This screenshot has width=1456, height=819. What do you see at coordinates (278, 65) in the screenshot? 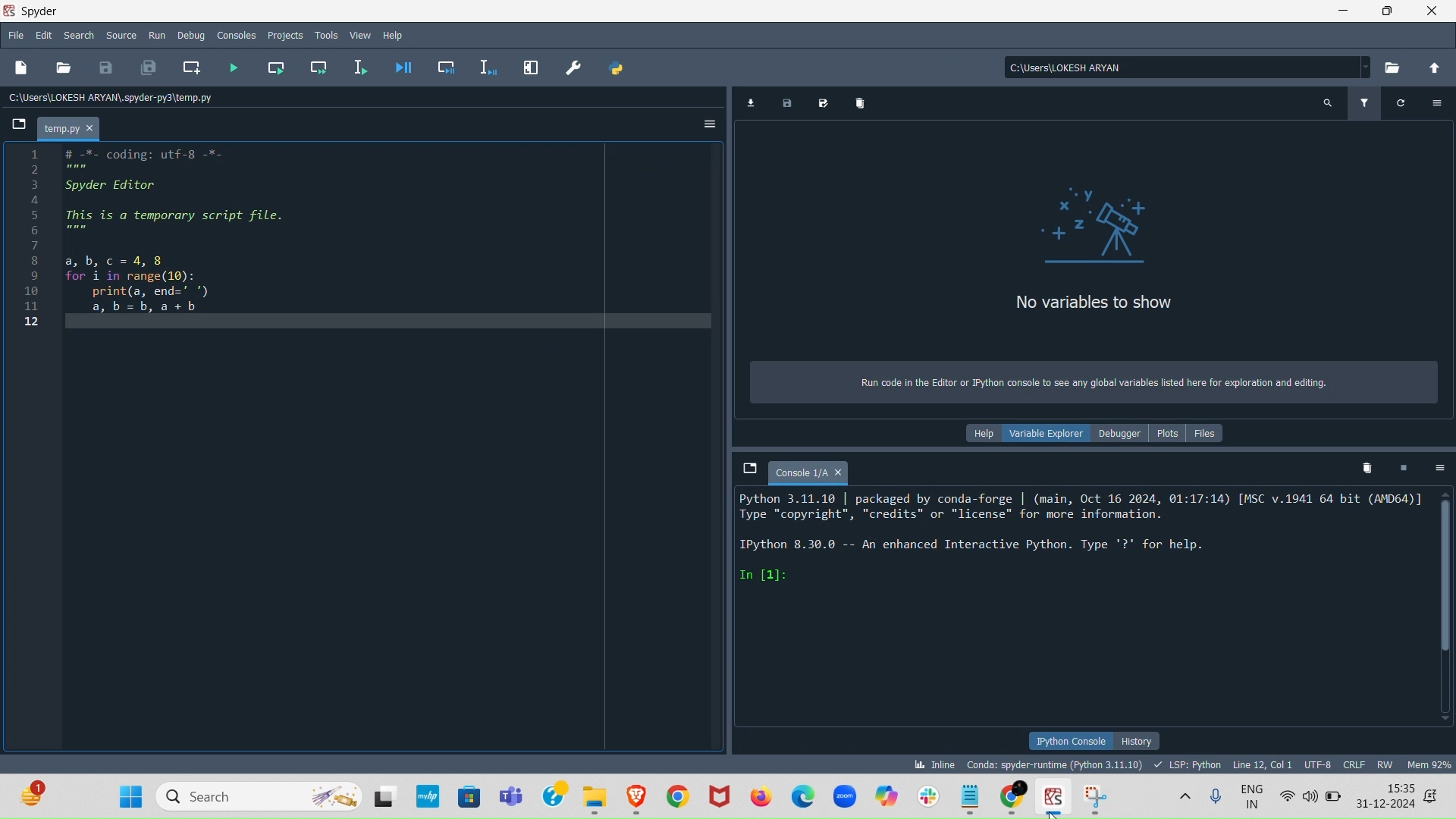
I see `Run current cell (Ctrl + Return)` at bounding box center [278, 65].